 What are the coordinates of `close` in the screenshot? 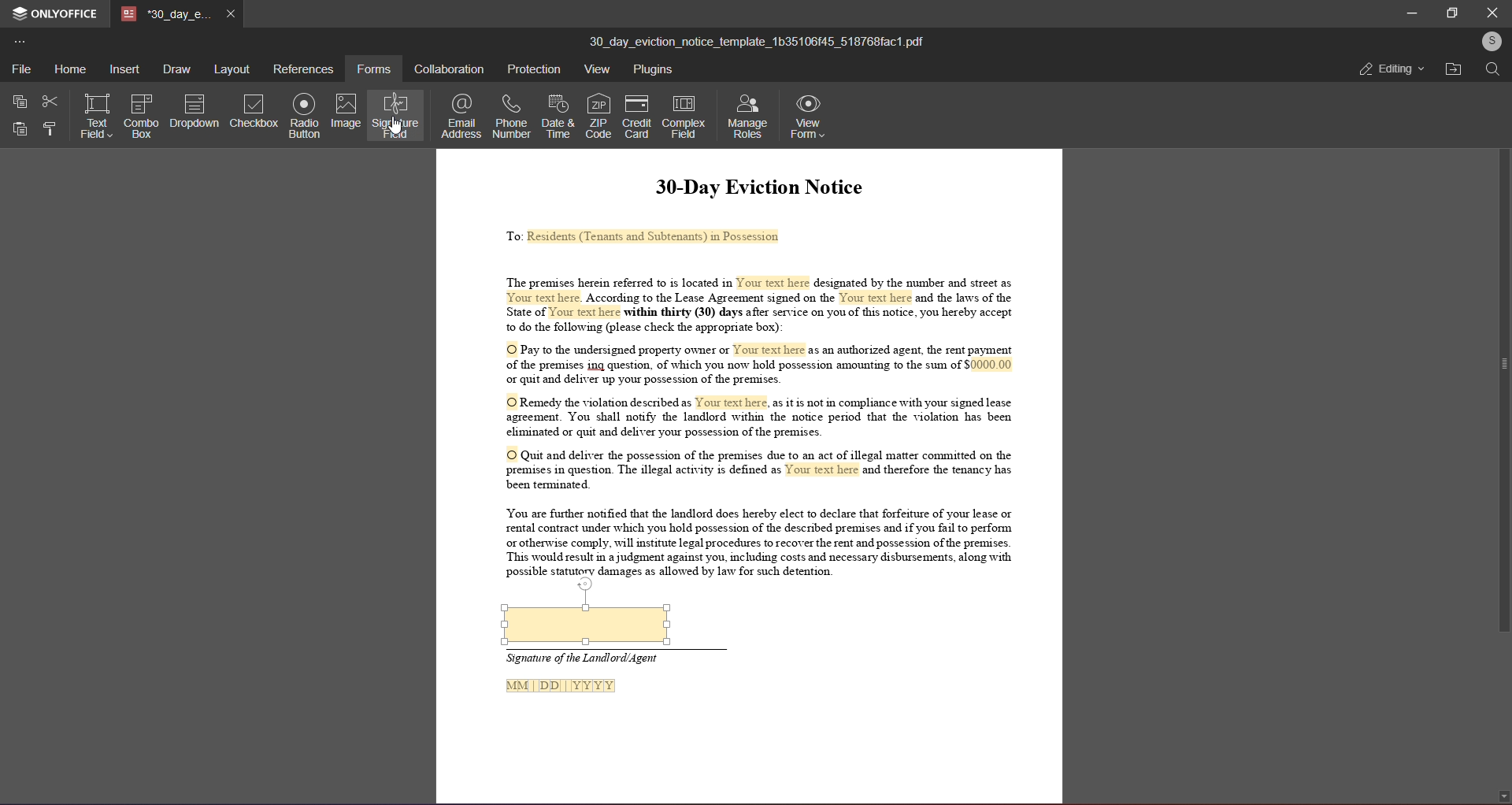 It's located at (1492, 11).